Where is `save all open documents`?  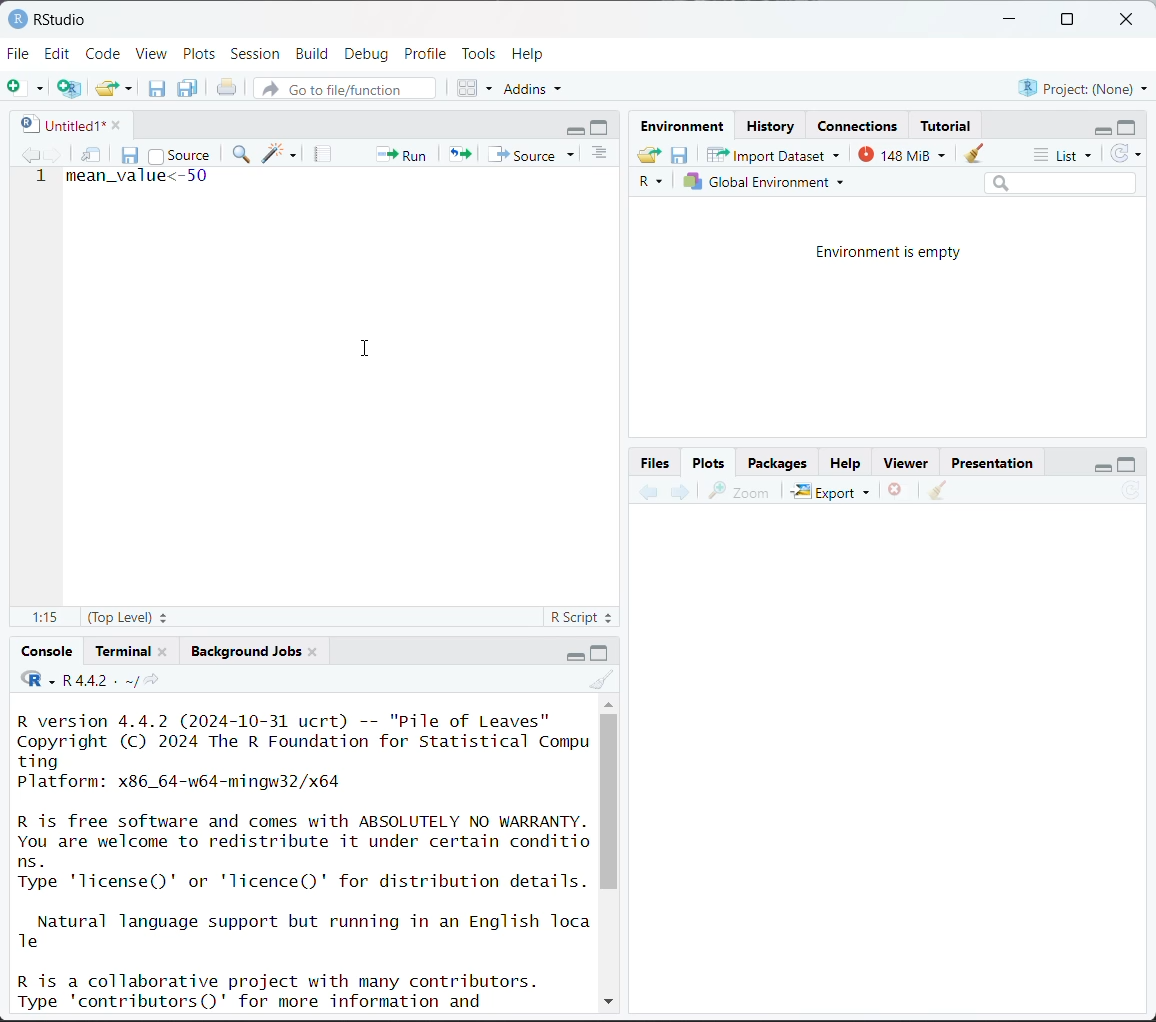 save all open documents is located at coordinates (189, 88).